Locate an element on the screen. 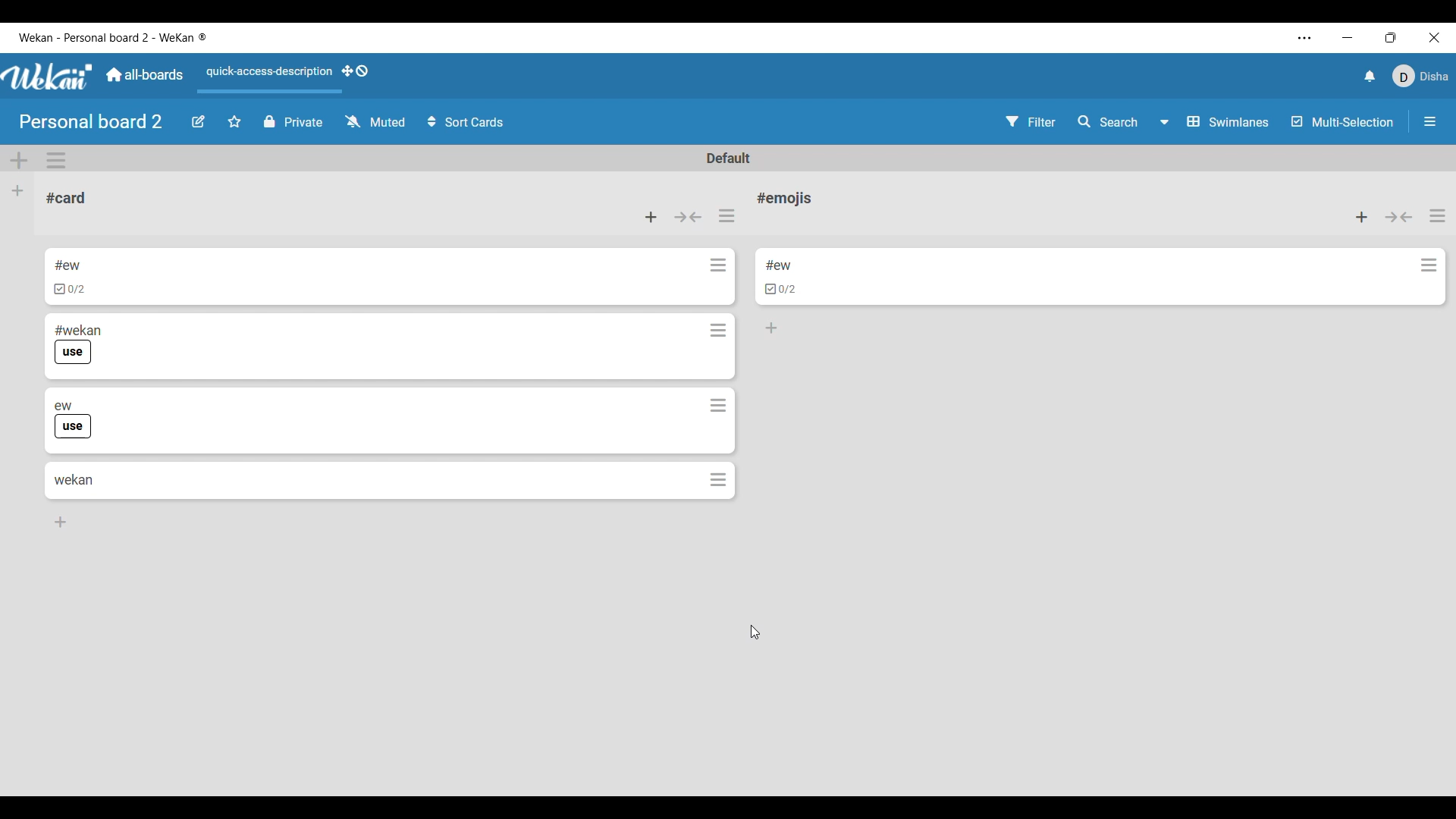 This screenshot has height=819, width=1456. Watch options is located at coordinates (376, 121).